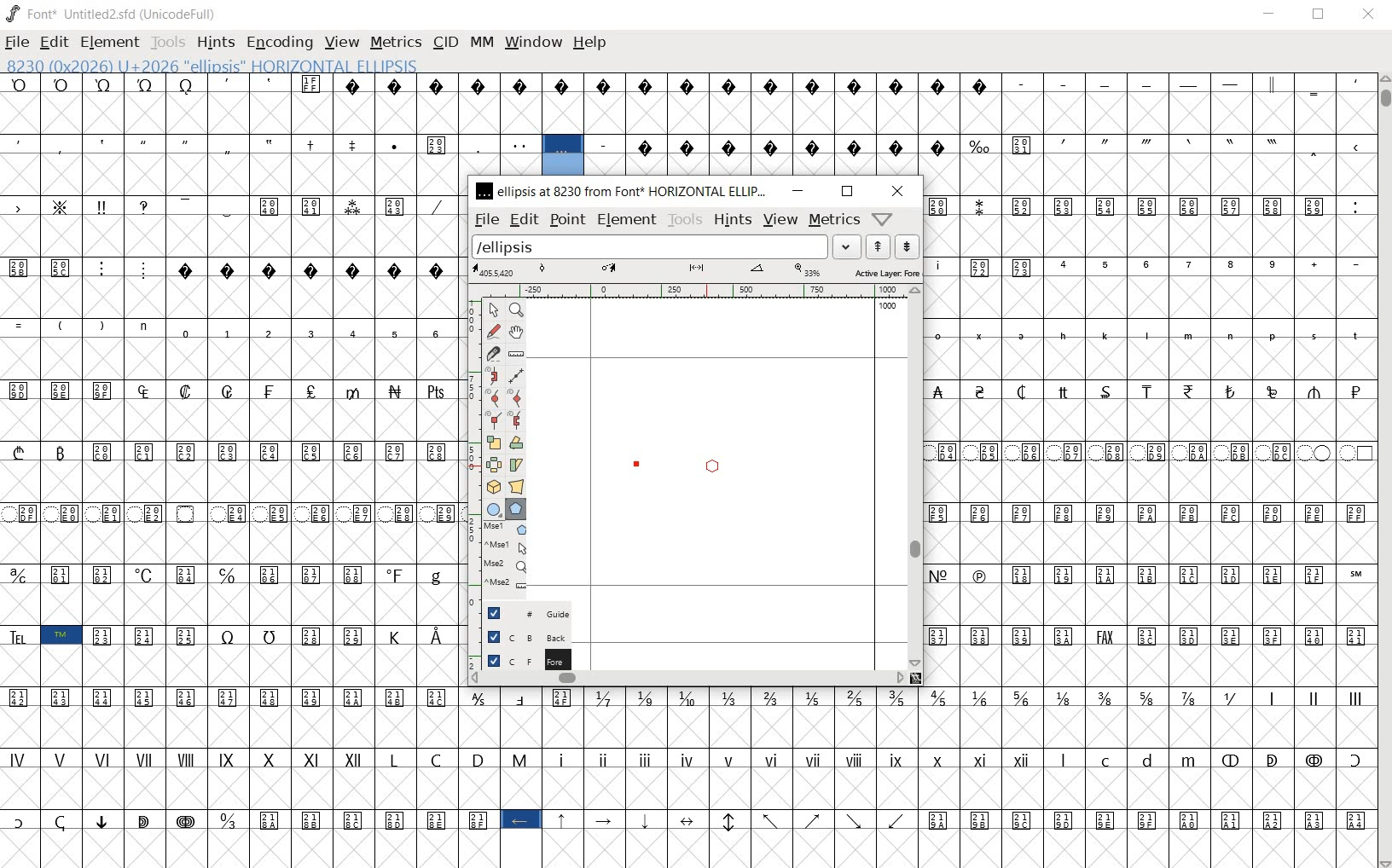 The height and width of the screenshot is (868, 1392). Describe the element at coordinates (497, 310) in the screenshot. I see `POINTER` at that location.